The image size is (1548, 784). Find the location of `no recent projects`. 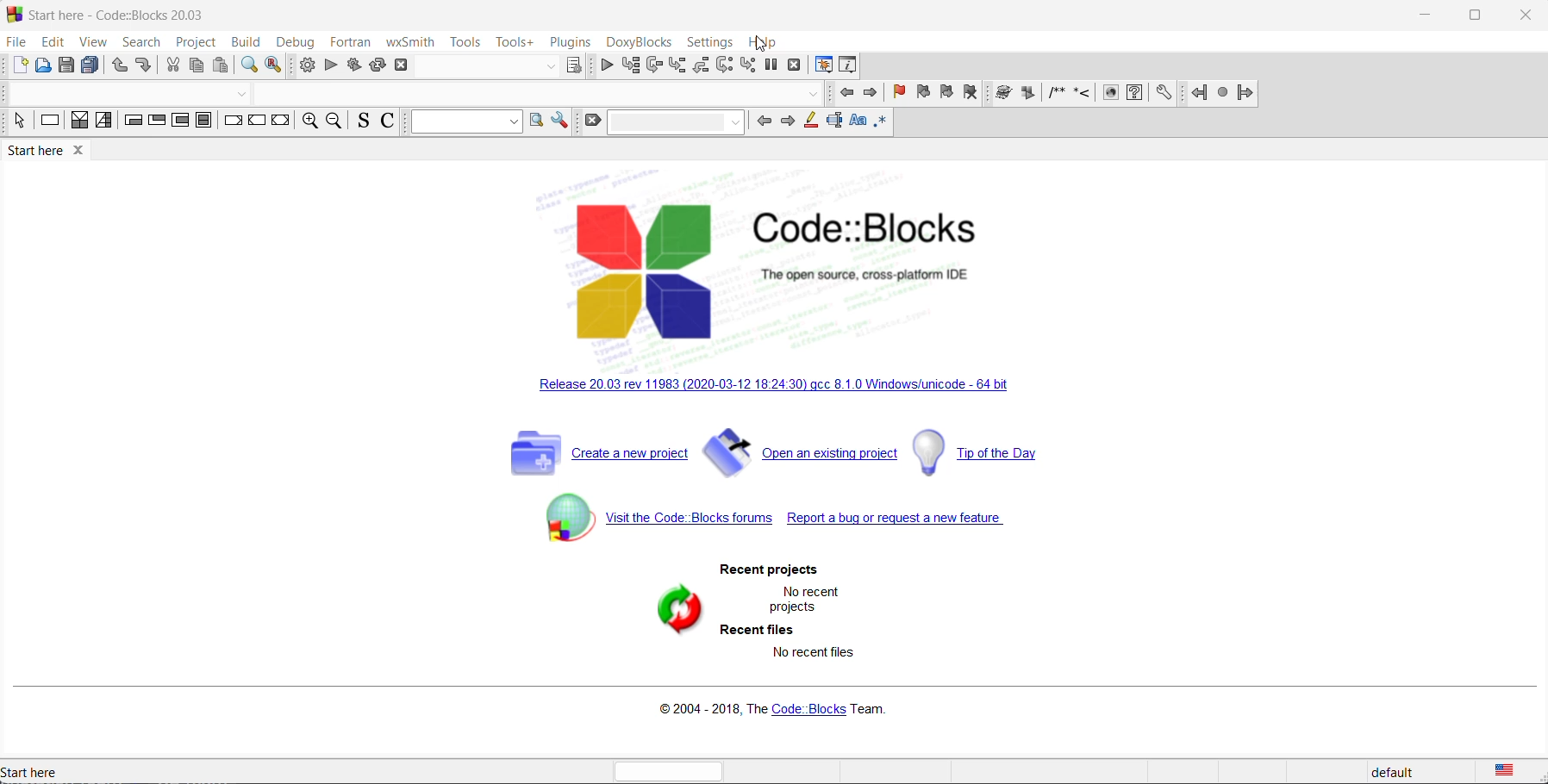

no recent projects is located at coordinates (802, 600).